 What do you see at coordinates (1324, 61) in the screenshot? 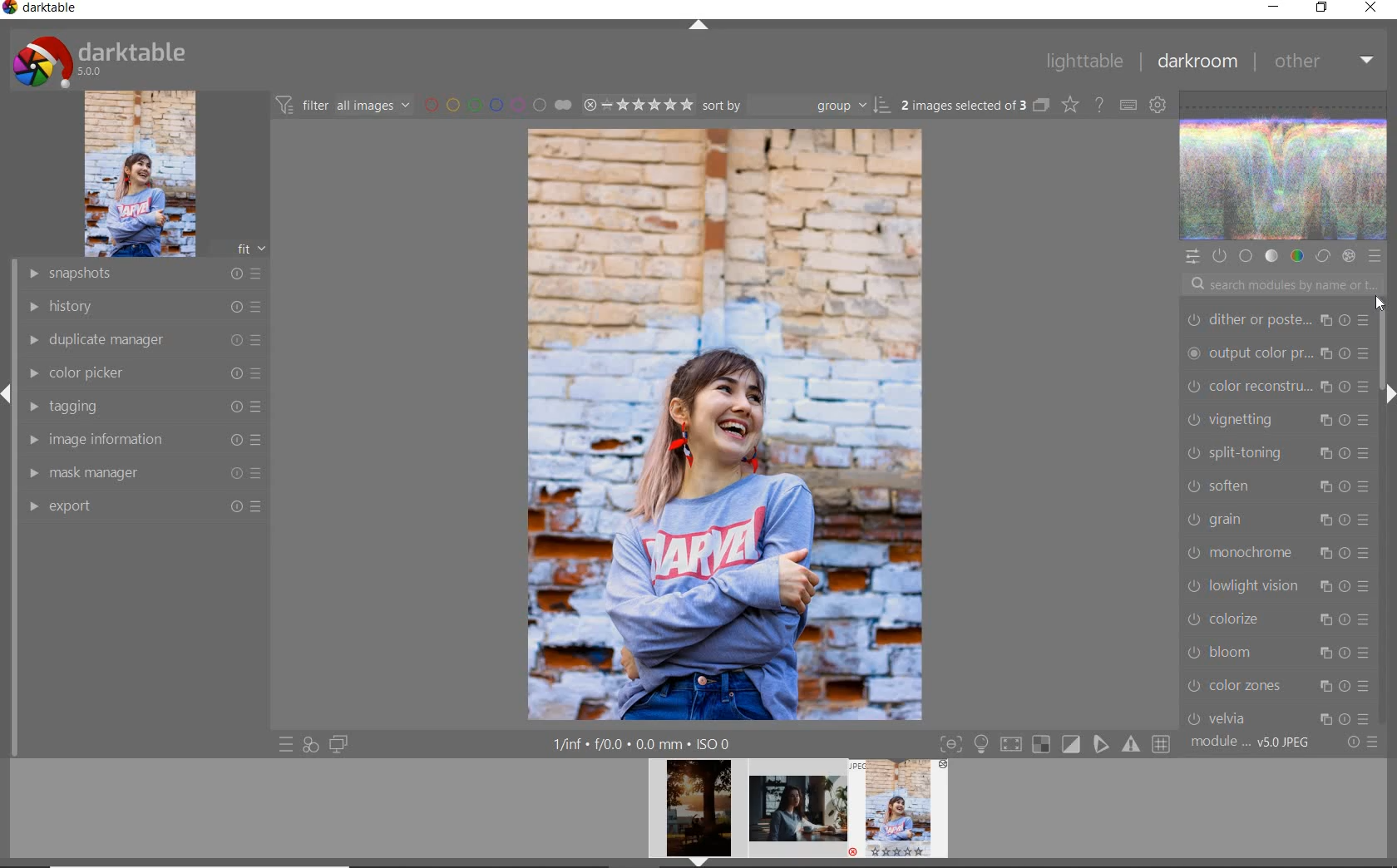
I see `OTHER` at bounding box center [1324, 61].